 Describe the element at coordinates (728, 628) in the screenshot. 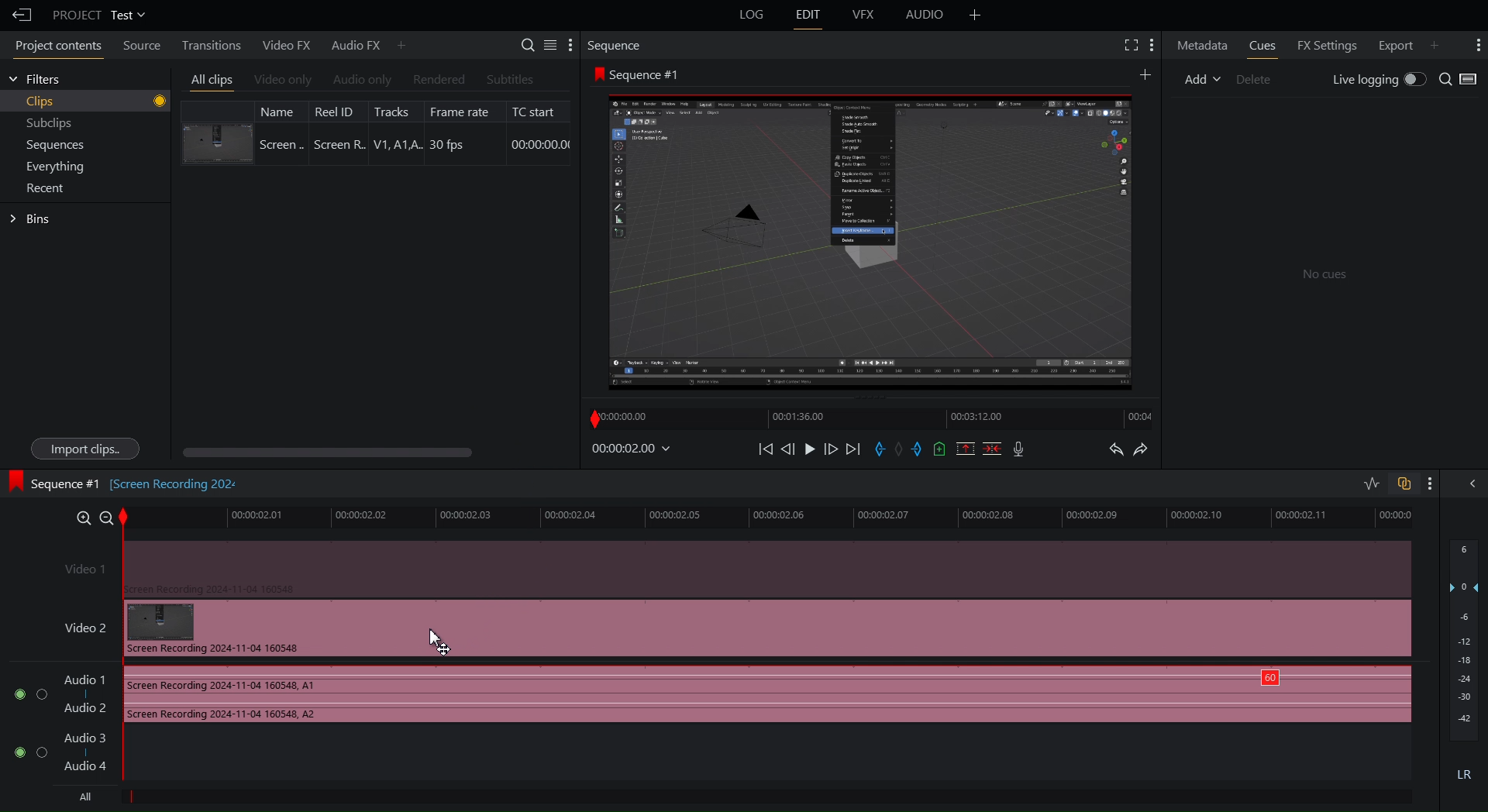

I see `Video 2` at that location.